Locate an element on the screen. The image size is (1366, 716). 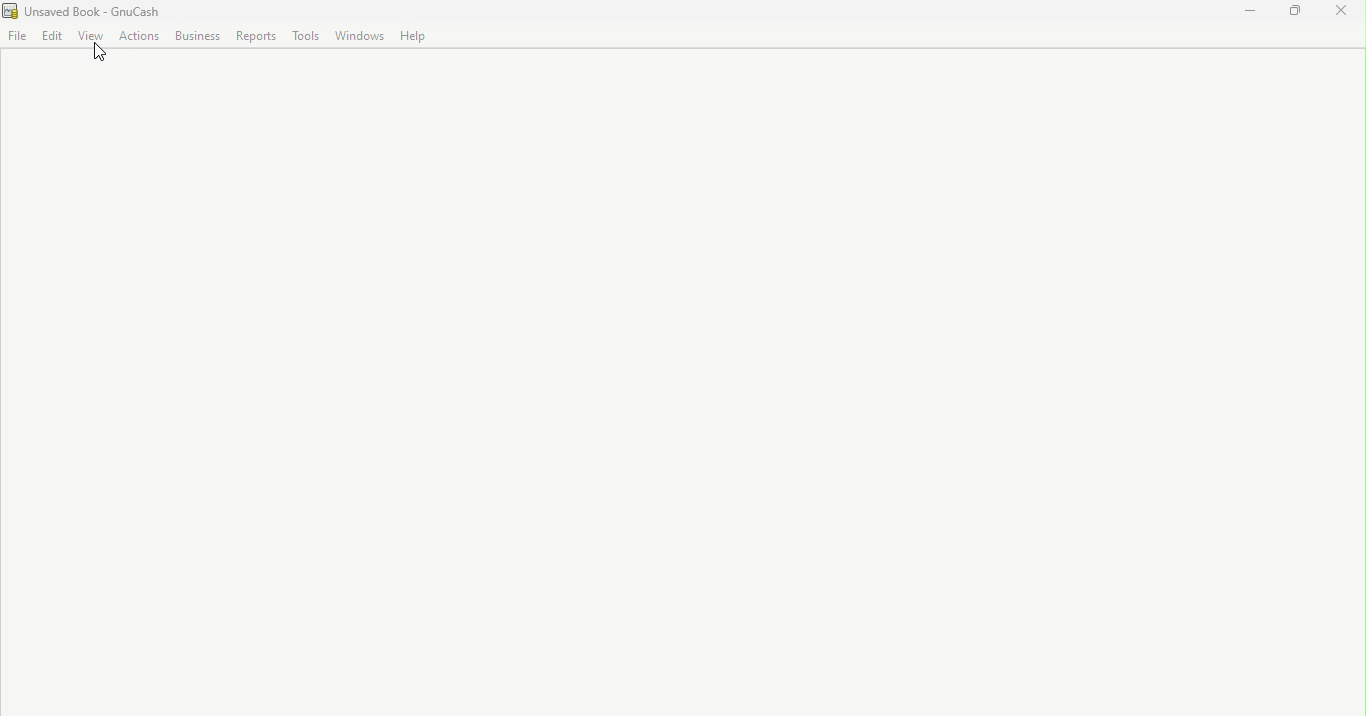
View is located at coordinates (93, 36).